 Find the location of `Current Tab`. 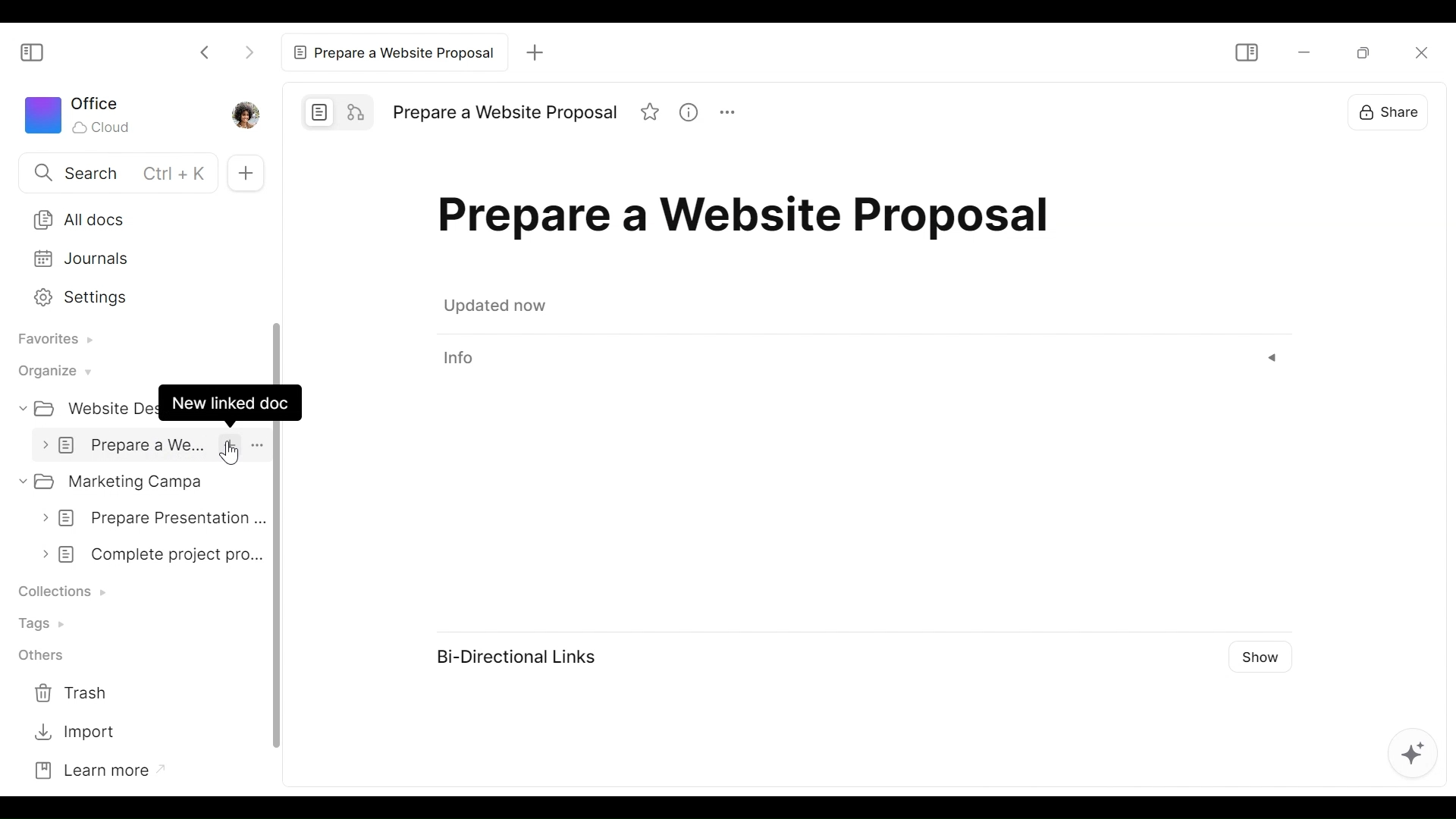

Current Tab is located at coordinates (392, 52).